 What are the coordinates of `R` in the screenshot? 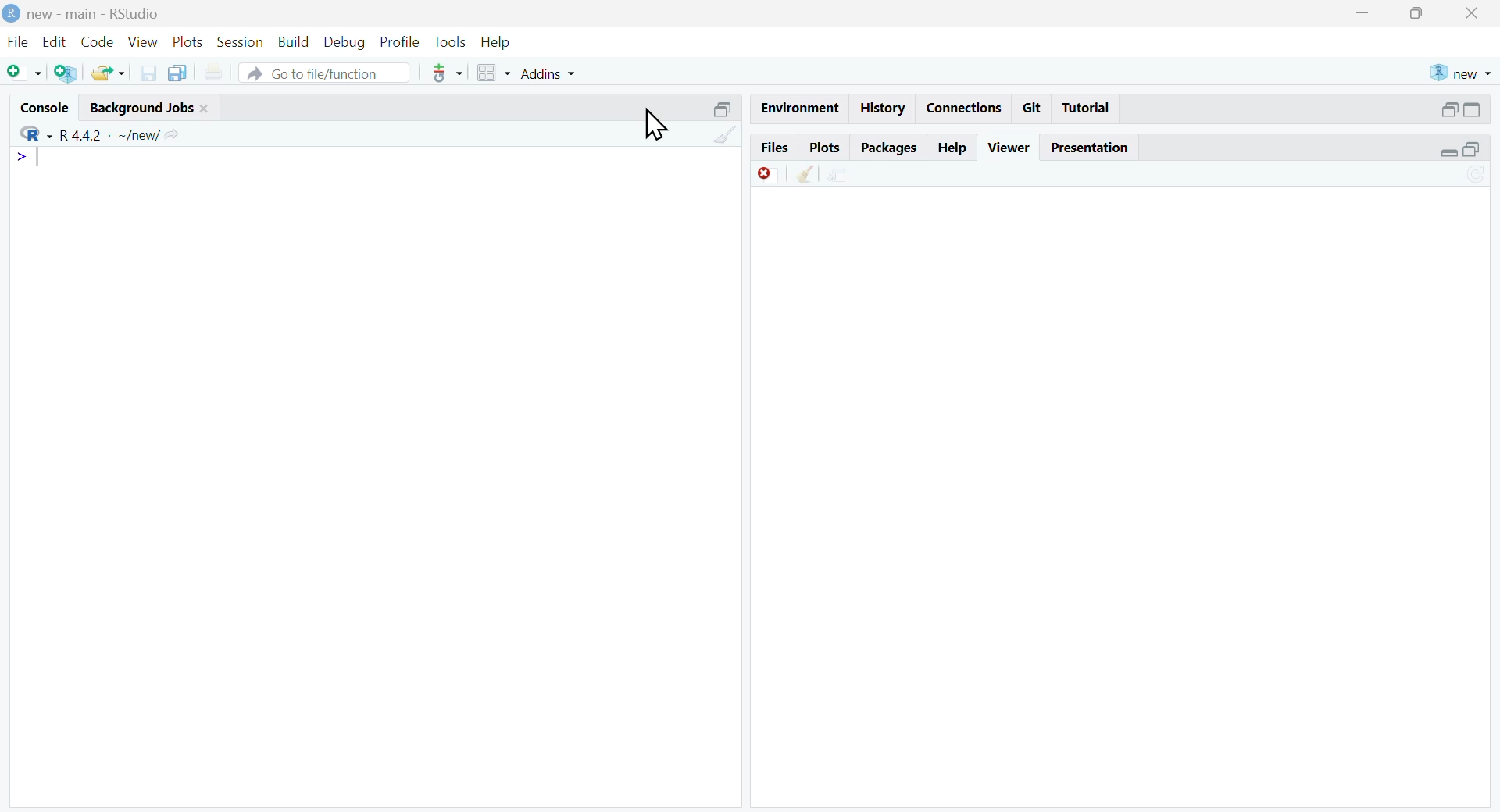 It's located at (36, 134).